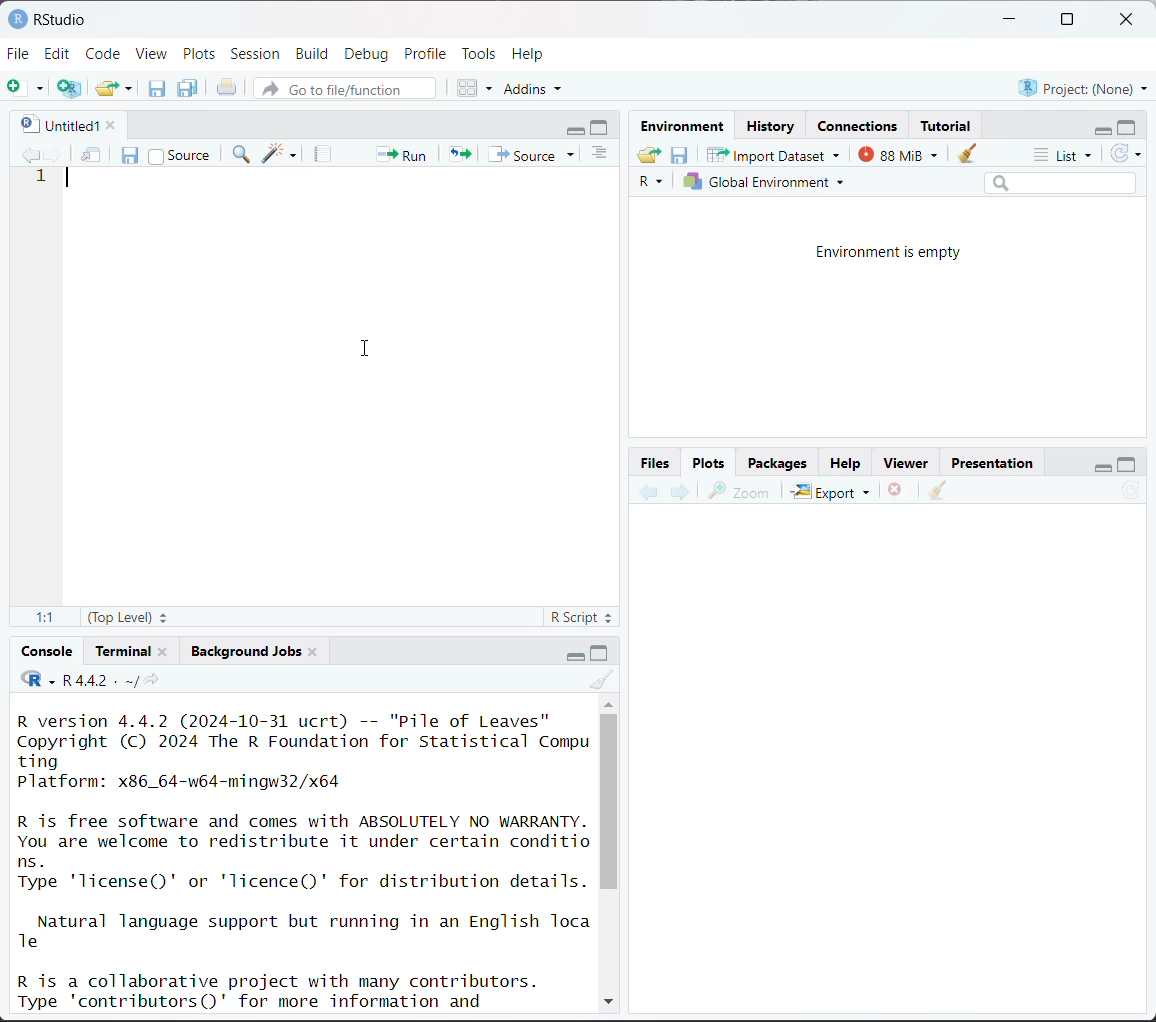  What do you see at coordinates (739, 491) in the screenshot?
I see `zoom` at bounding box center [739, 491].